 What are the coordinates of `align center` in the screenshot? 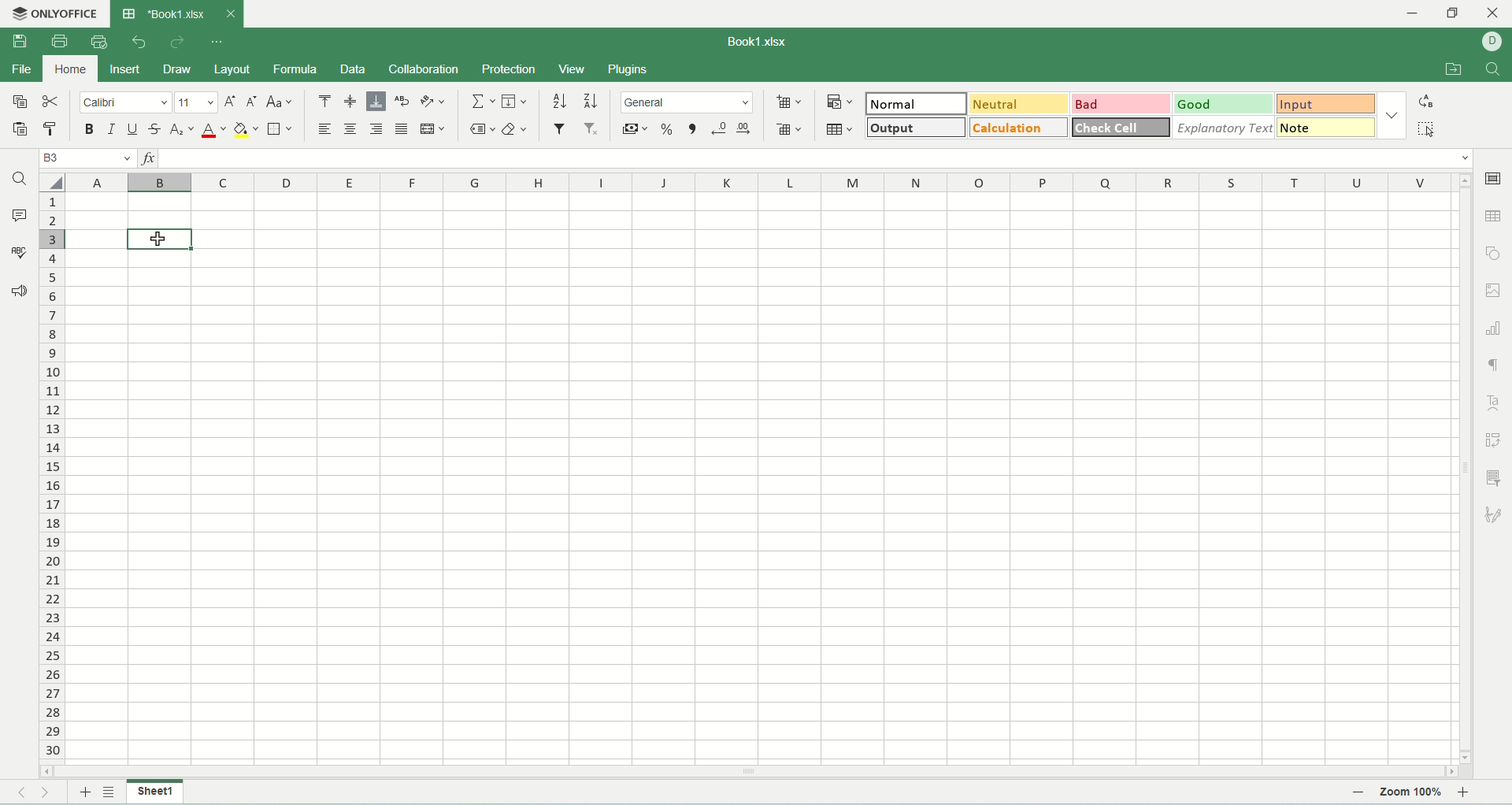 It's located at (351, 129).